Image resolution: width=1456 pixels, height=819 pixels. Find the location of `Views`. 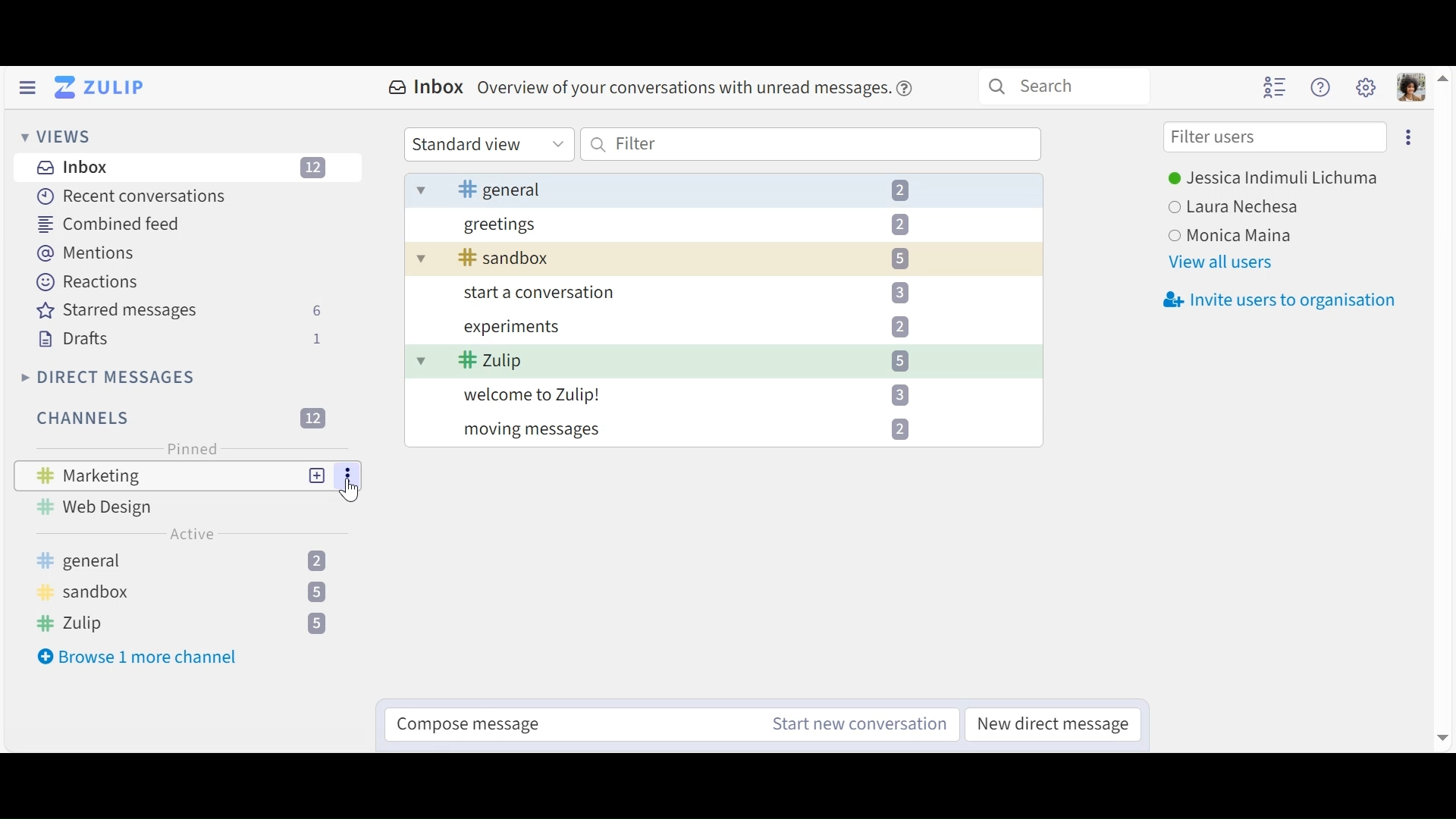

Views is located at coordinates (55, 136).